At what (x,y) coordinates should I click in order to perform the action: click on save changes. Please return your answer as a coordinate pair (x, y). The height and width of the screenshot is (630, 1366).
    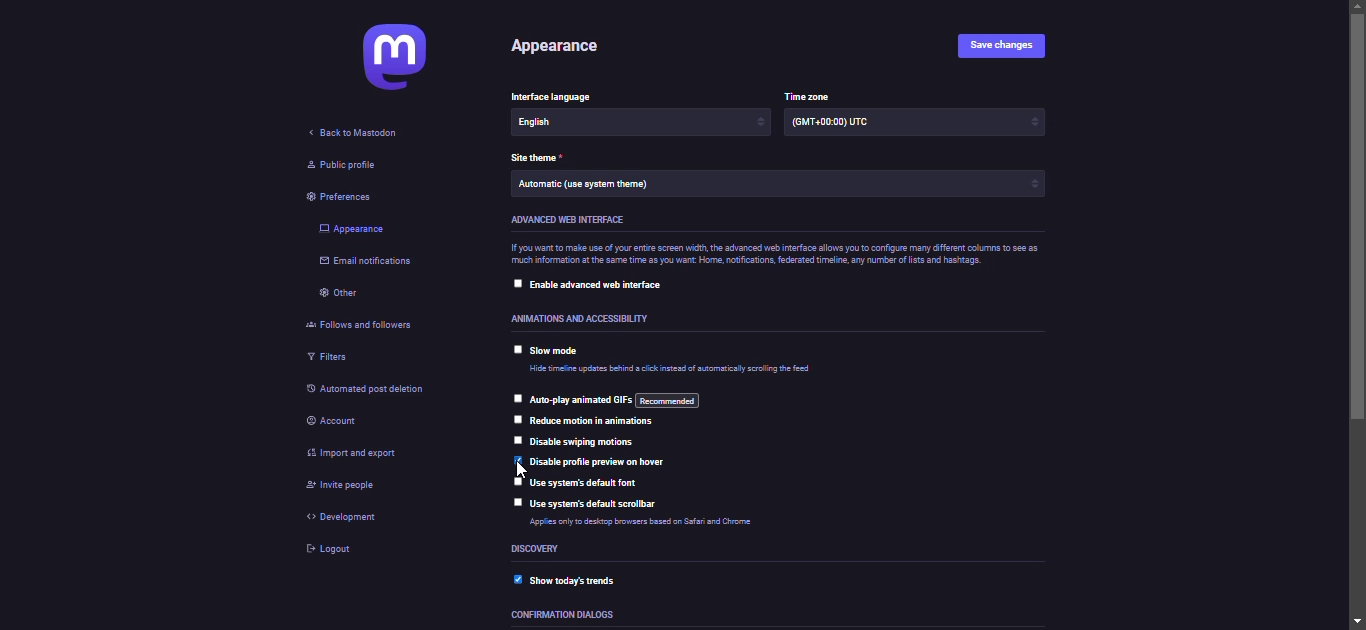
    Looking at the image, I should click on (997, 45).